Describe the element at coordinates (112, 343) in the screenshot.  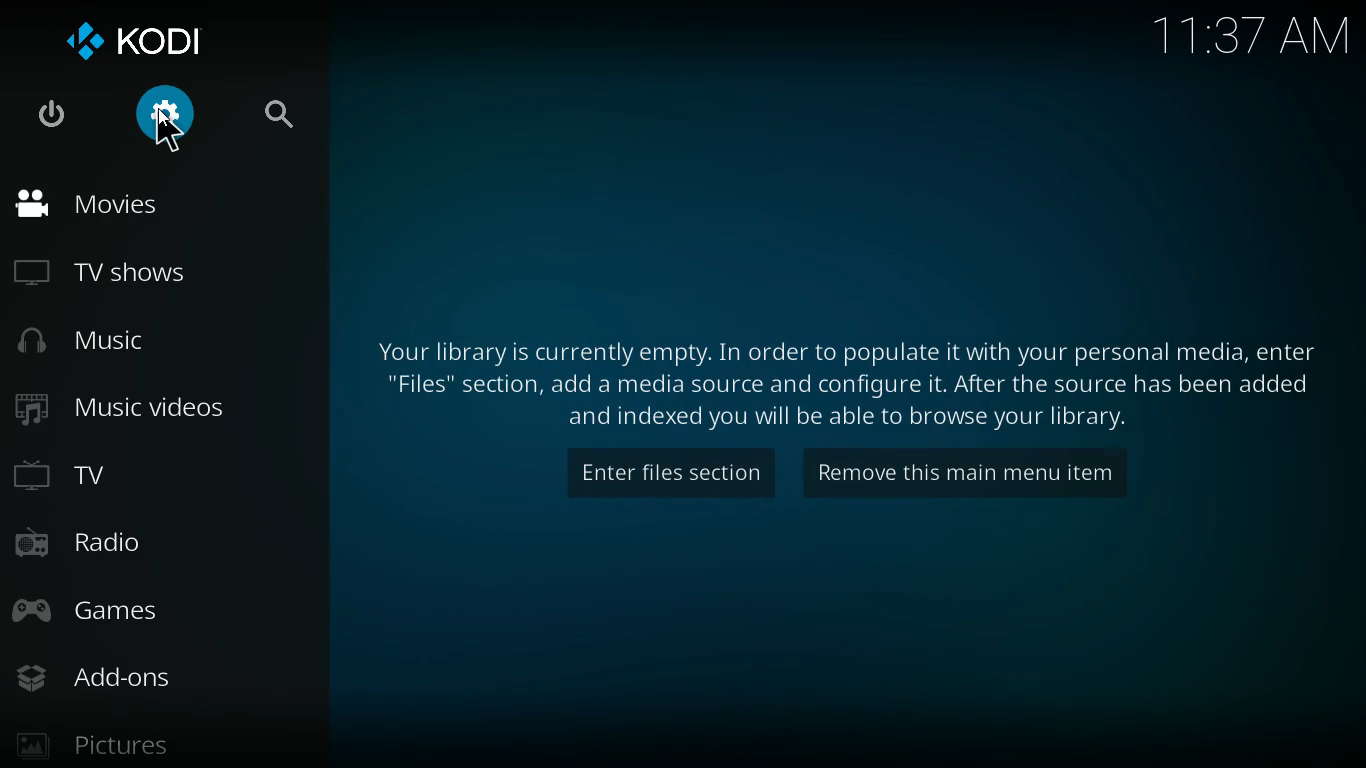
I see `music` at that location.